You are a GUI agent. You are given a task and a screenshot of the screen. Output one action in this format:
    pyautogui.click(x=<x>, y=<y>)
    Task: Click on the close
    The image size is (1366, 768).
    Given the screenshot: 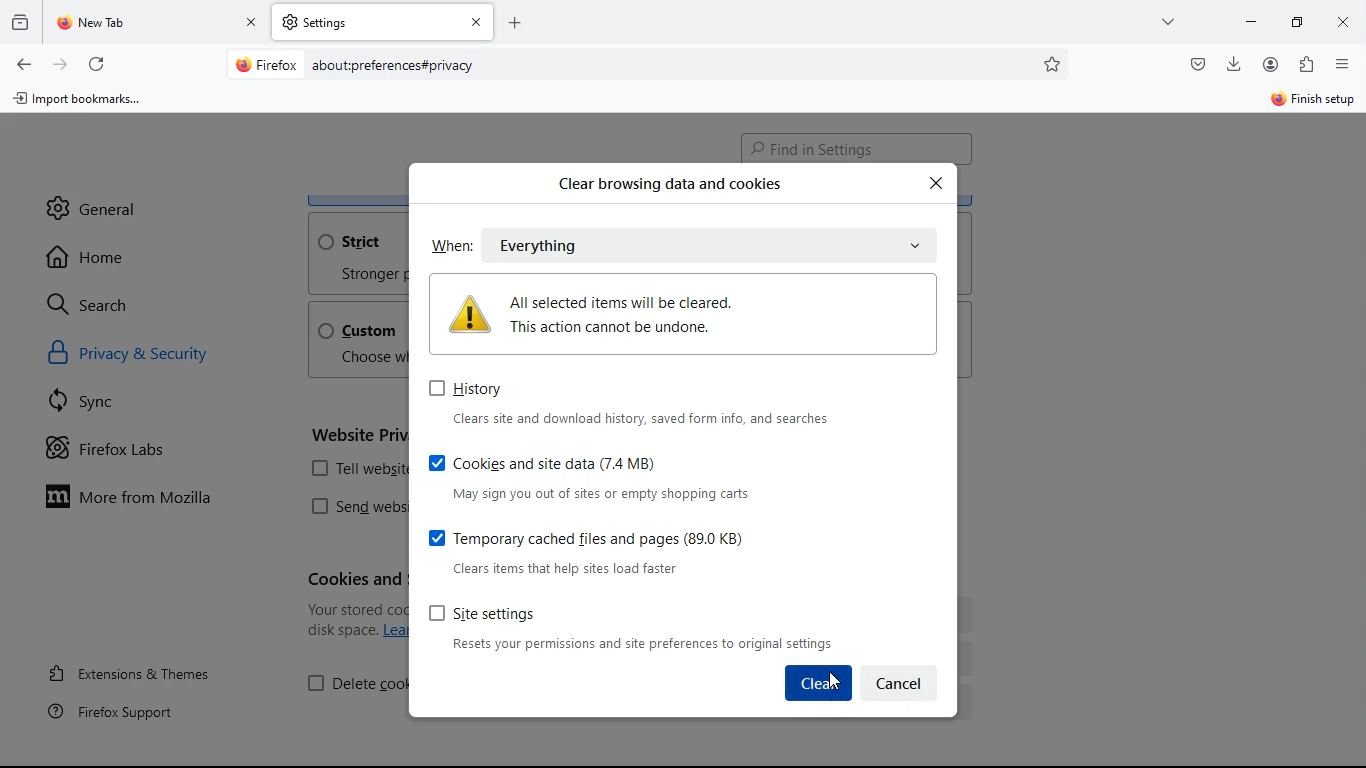 What is the action you would take?
    pyautogui.click(x=1346, y=24)
    